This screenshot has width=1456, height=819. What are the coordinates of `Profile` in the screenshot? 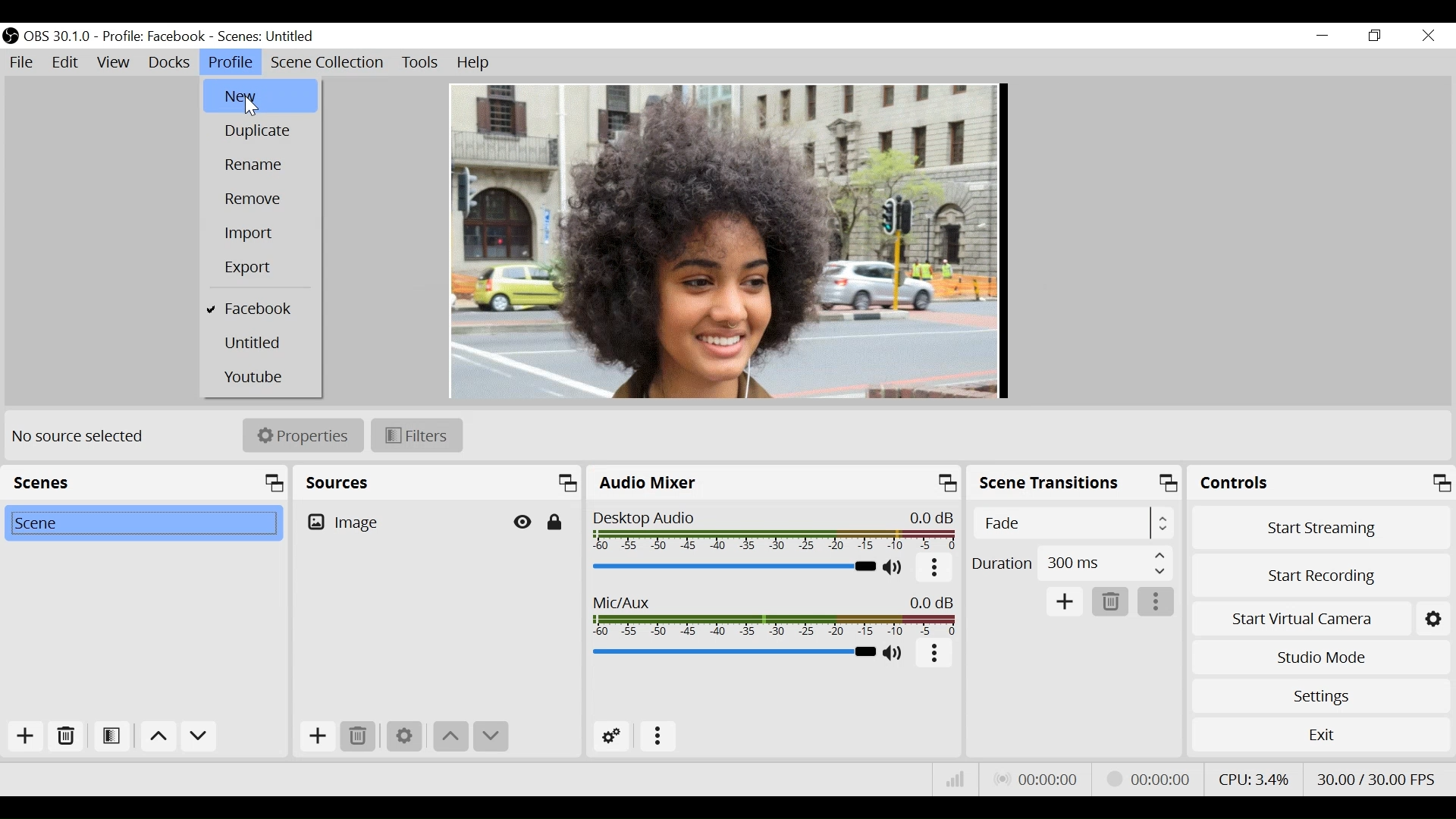 It's located at (231, 61).